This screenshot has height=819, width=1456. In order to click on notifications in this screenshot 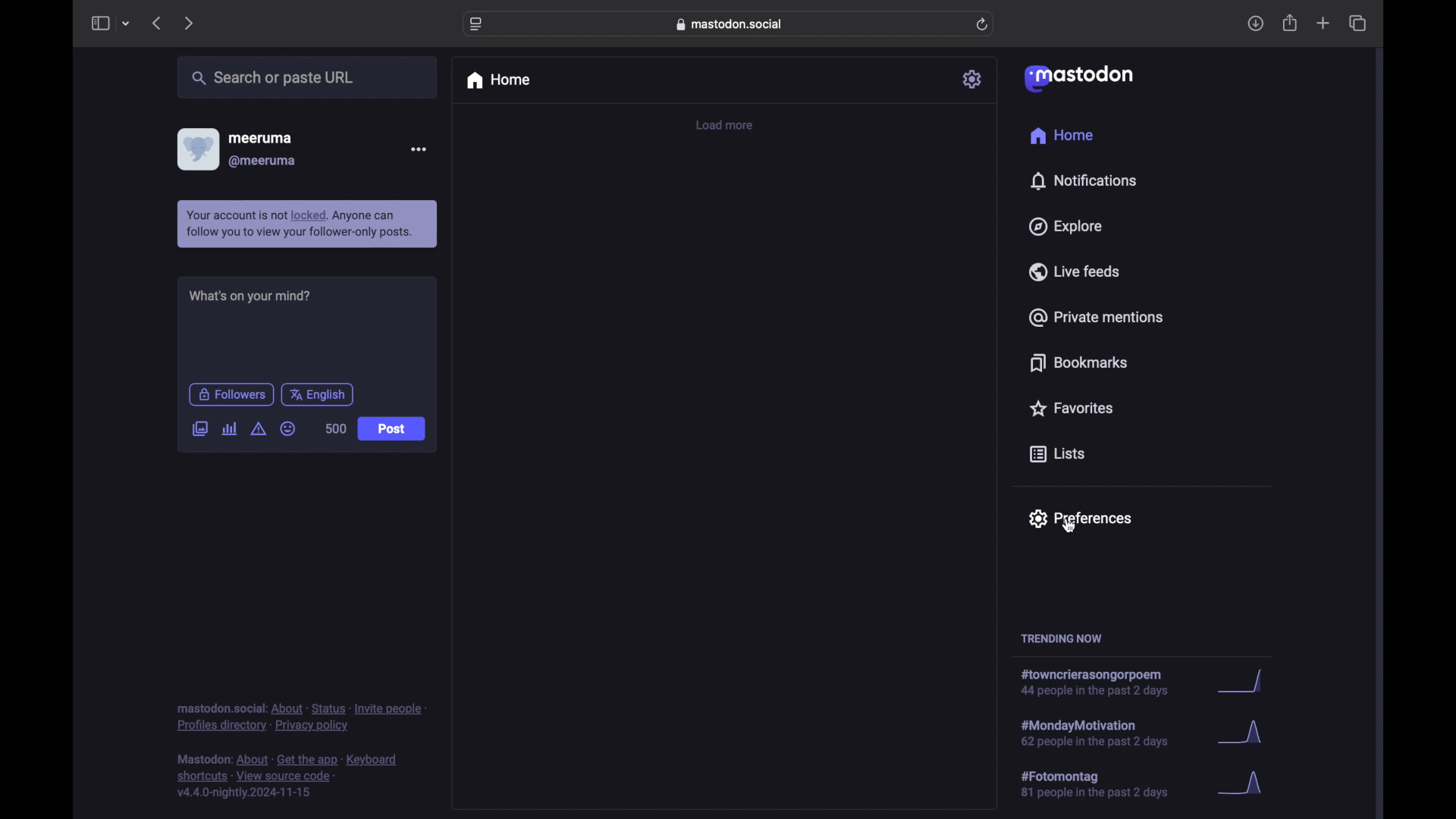, I will do `click(1086, 180)`.